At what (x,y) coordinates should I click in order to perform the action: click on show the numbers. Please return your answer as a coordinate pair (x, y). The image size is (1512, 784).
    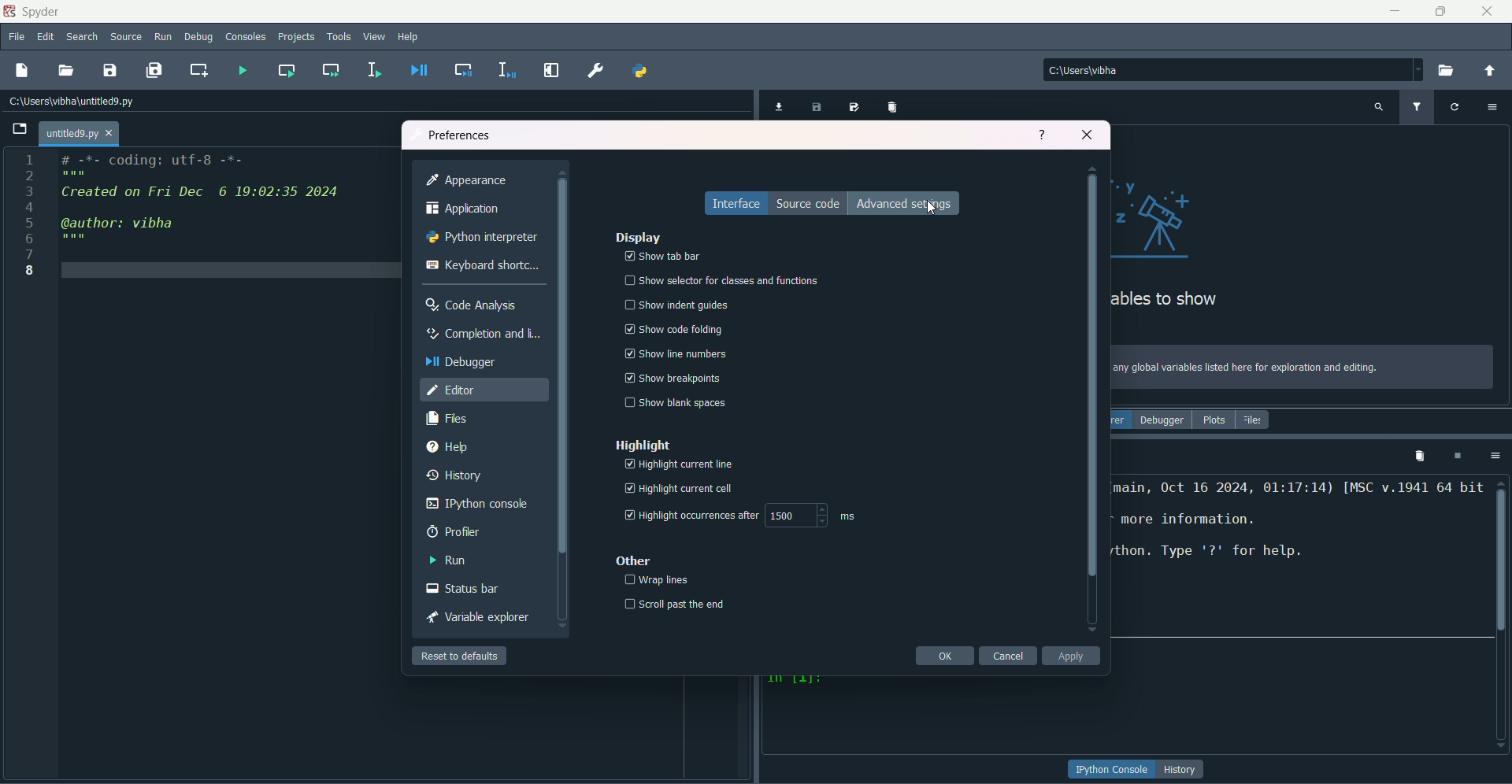
    Looking at the image, I should click on (678, 352).